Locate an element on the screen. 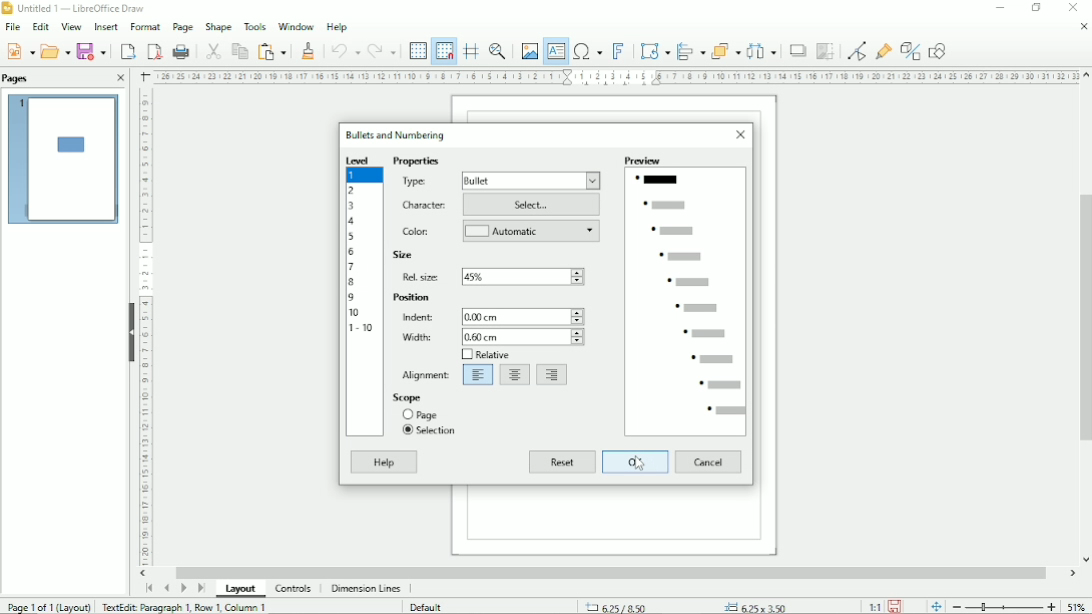  Zoom factor is located at coordinates (1076, 605).